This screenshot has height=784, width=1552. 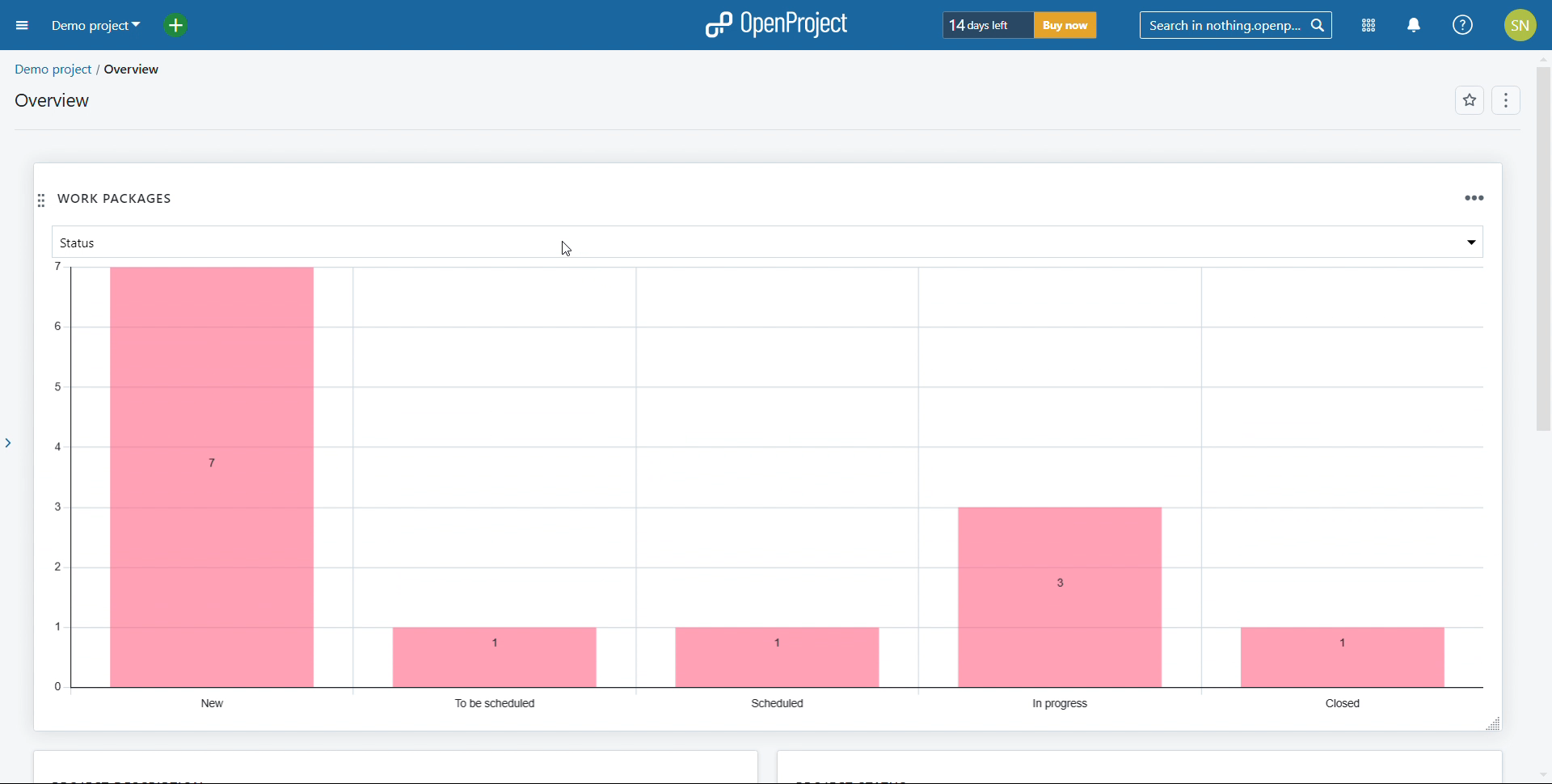 I want to click on work packages, so click(x=116, y=196).